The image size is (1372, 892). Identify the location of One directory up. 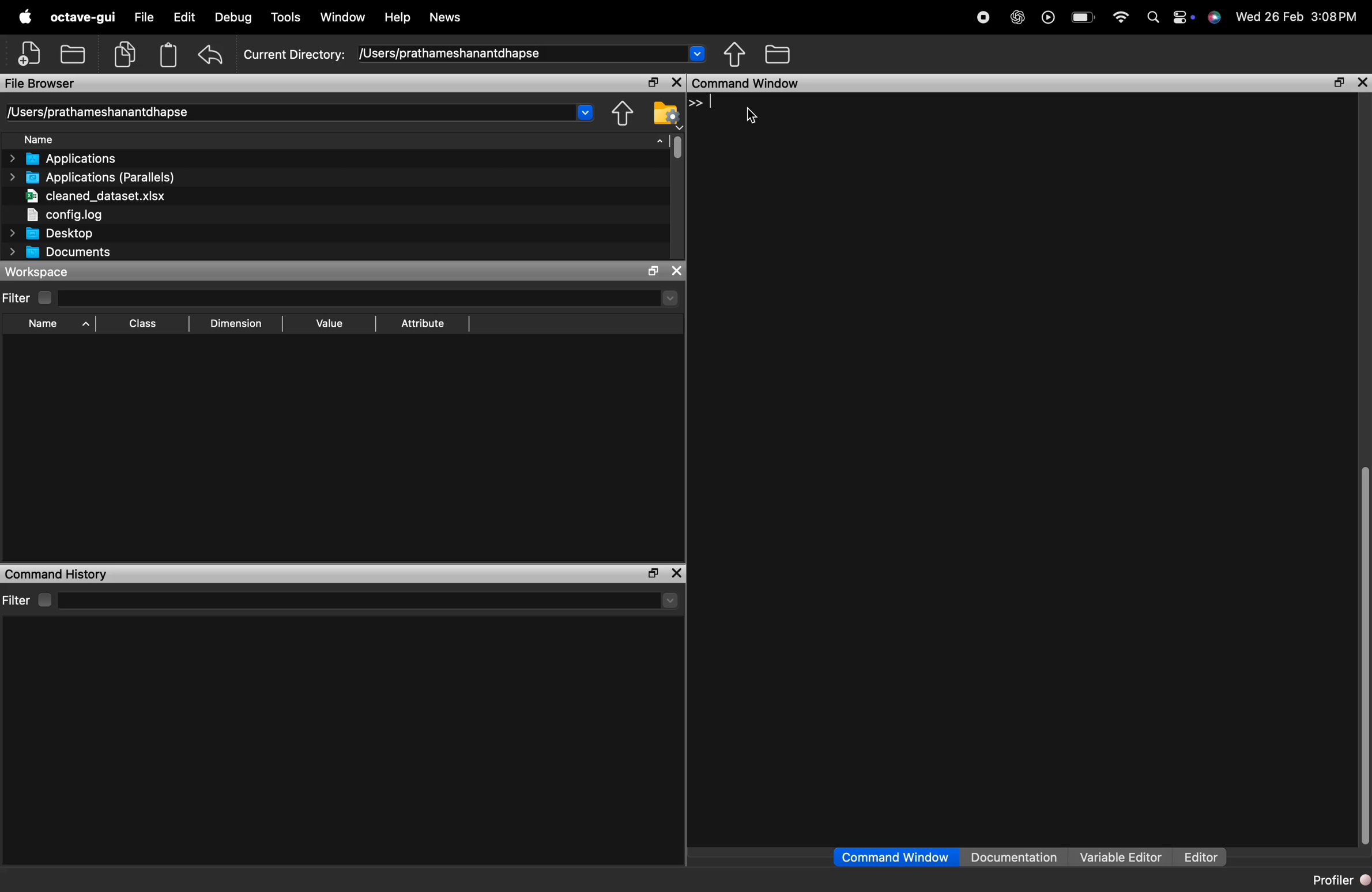
(777, 55).